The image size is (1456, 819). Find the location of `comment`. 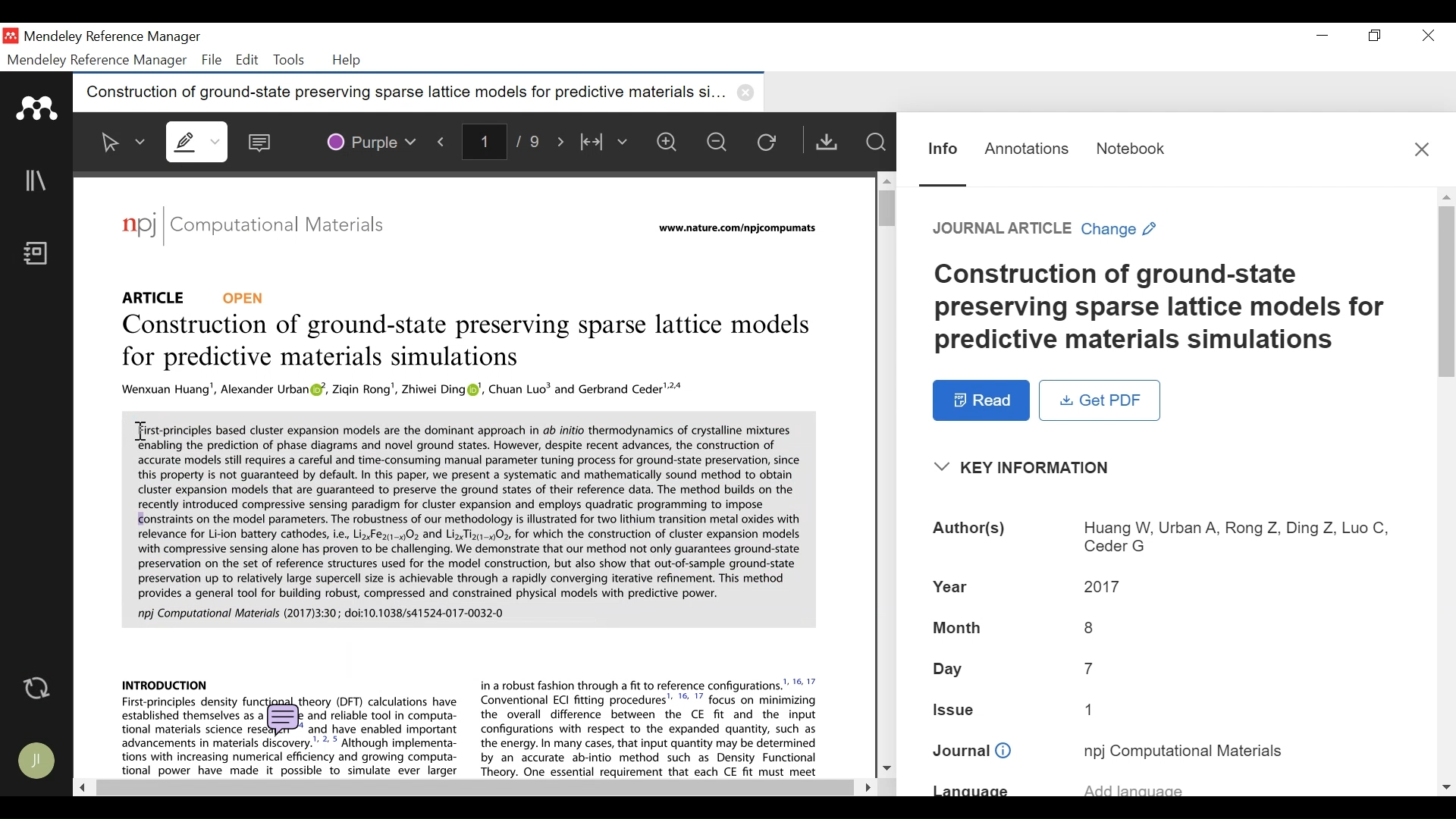

comment is located at coordinates (284, 720).